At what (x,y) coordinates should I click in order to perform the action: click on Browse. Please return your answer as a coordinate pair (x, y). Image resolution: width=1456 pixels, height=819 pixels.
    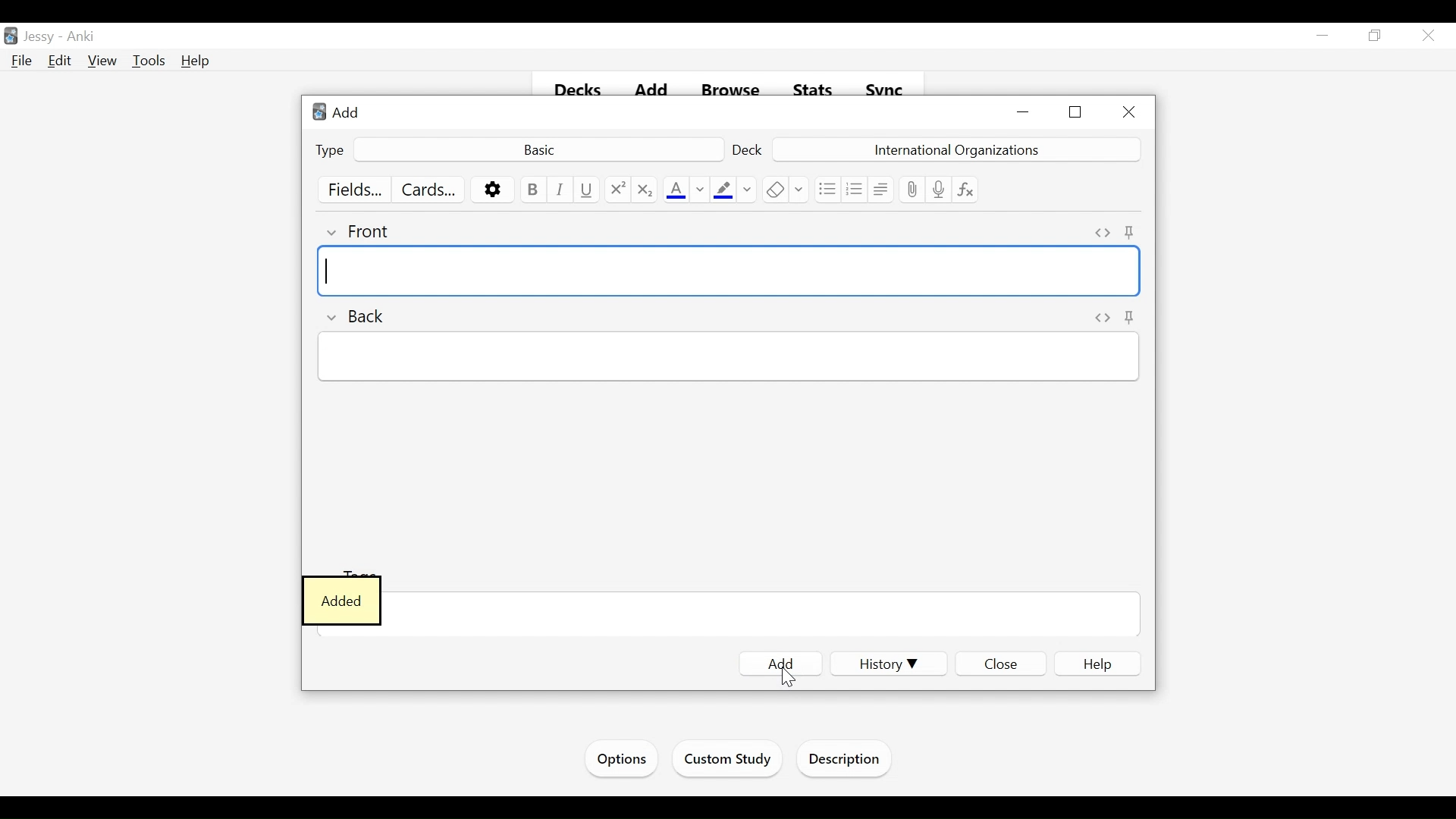
    Looking at the image, I should click on (724, 86).